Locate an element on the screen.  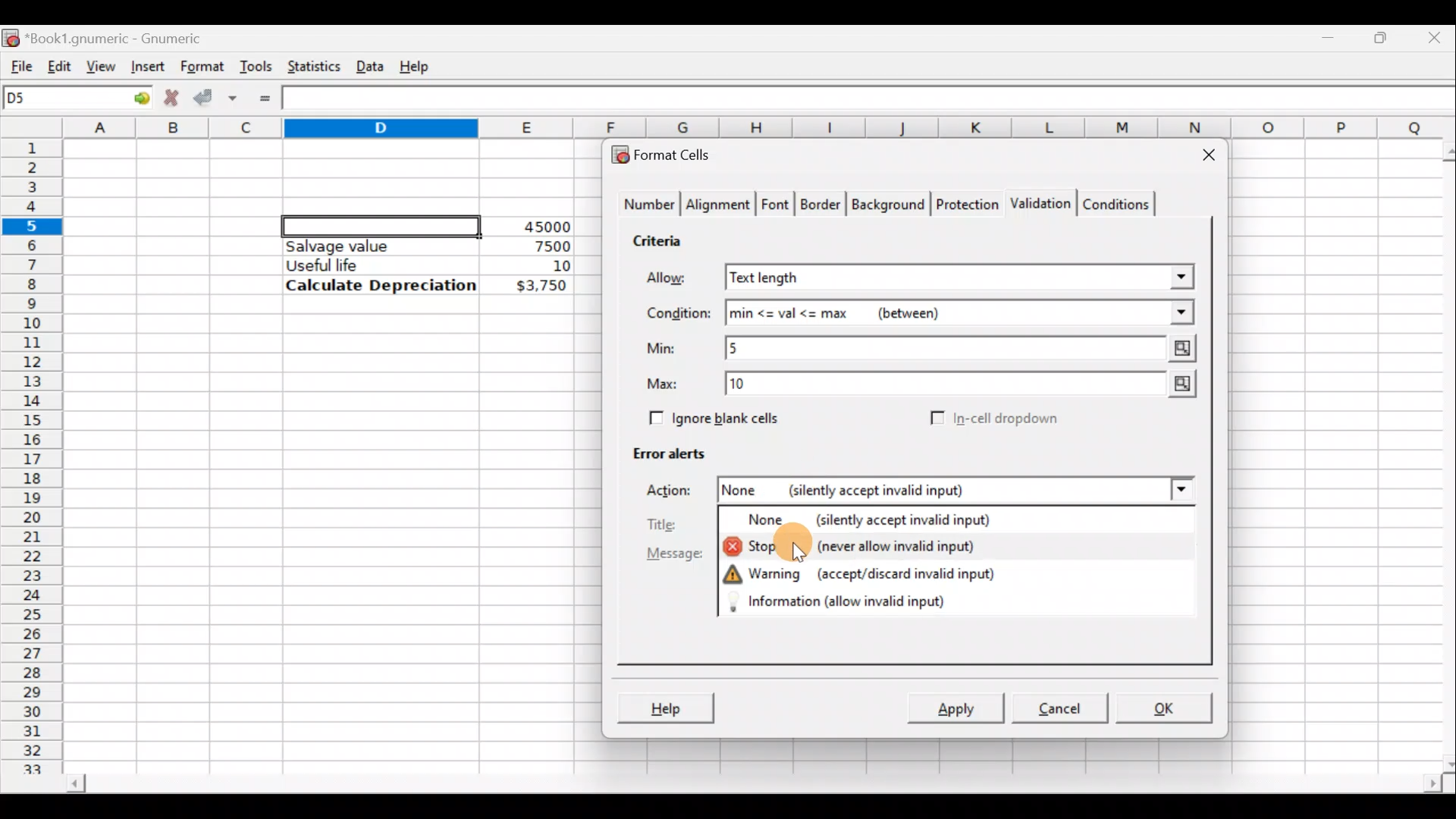
Action is located at coordinates (673, 493).